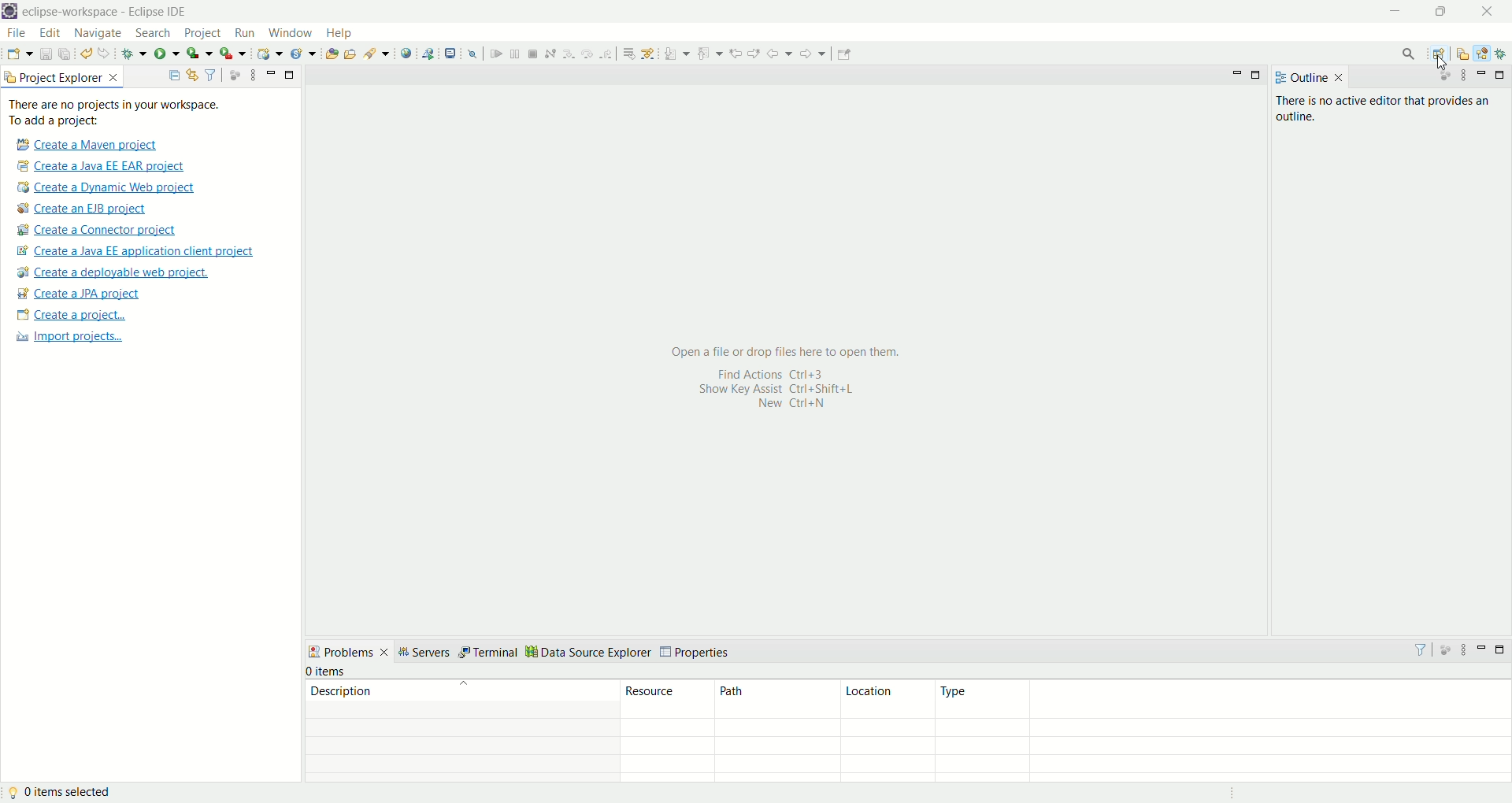 Image resolution: width=1512 pixels, height=803 pixels. Describe the element at coordinates (675, 53) in the screenshot. I see `next annotation` at that location.